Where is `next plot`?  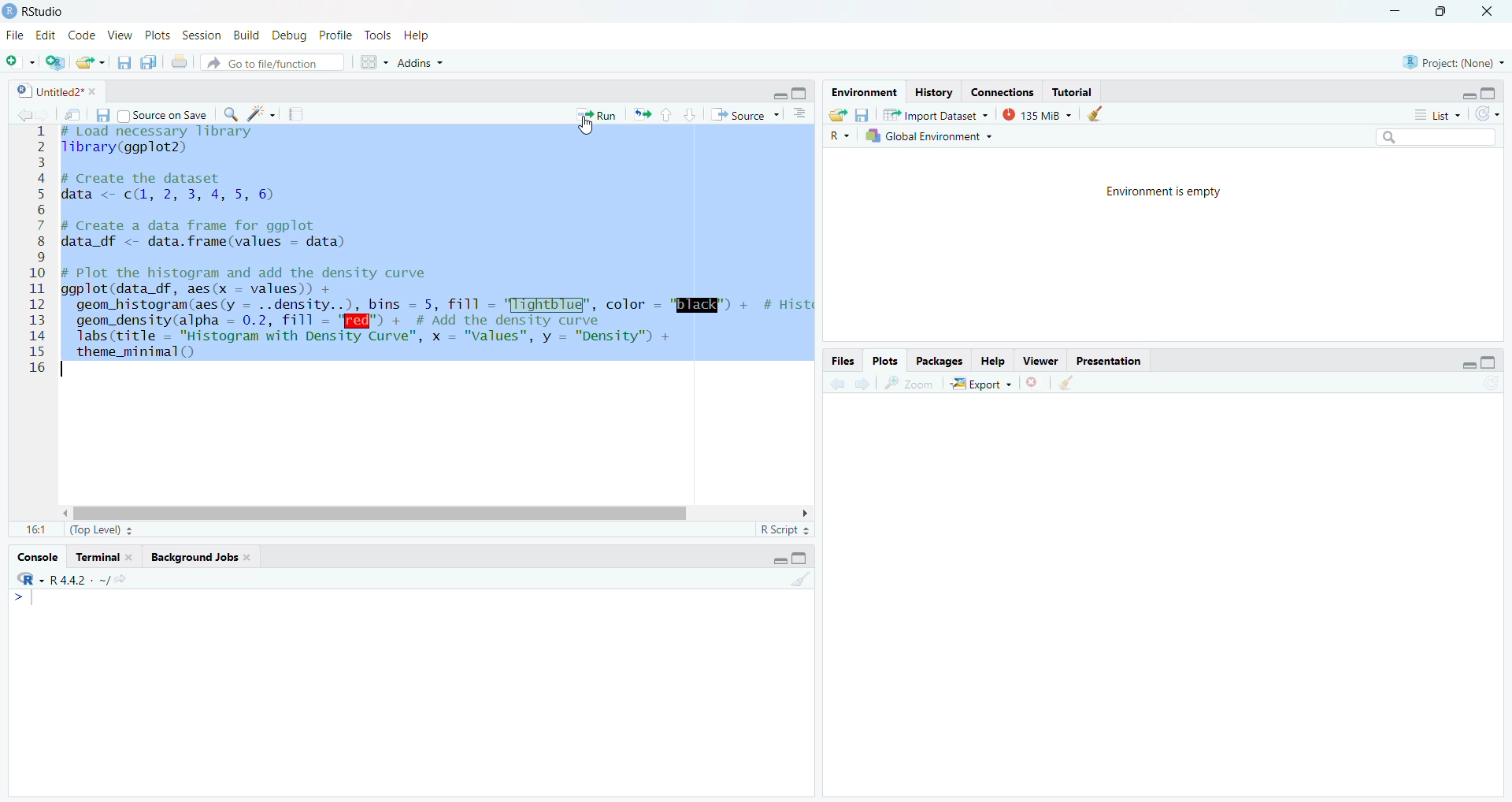 next plot is located at coordinates (862, 384).